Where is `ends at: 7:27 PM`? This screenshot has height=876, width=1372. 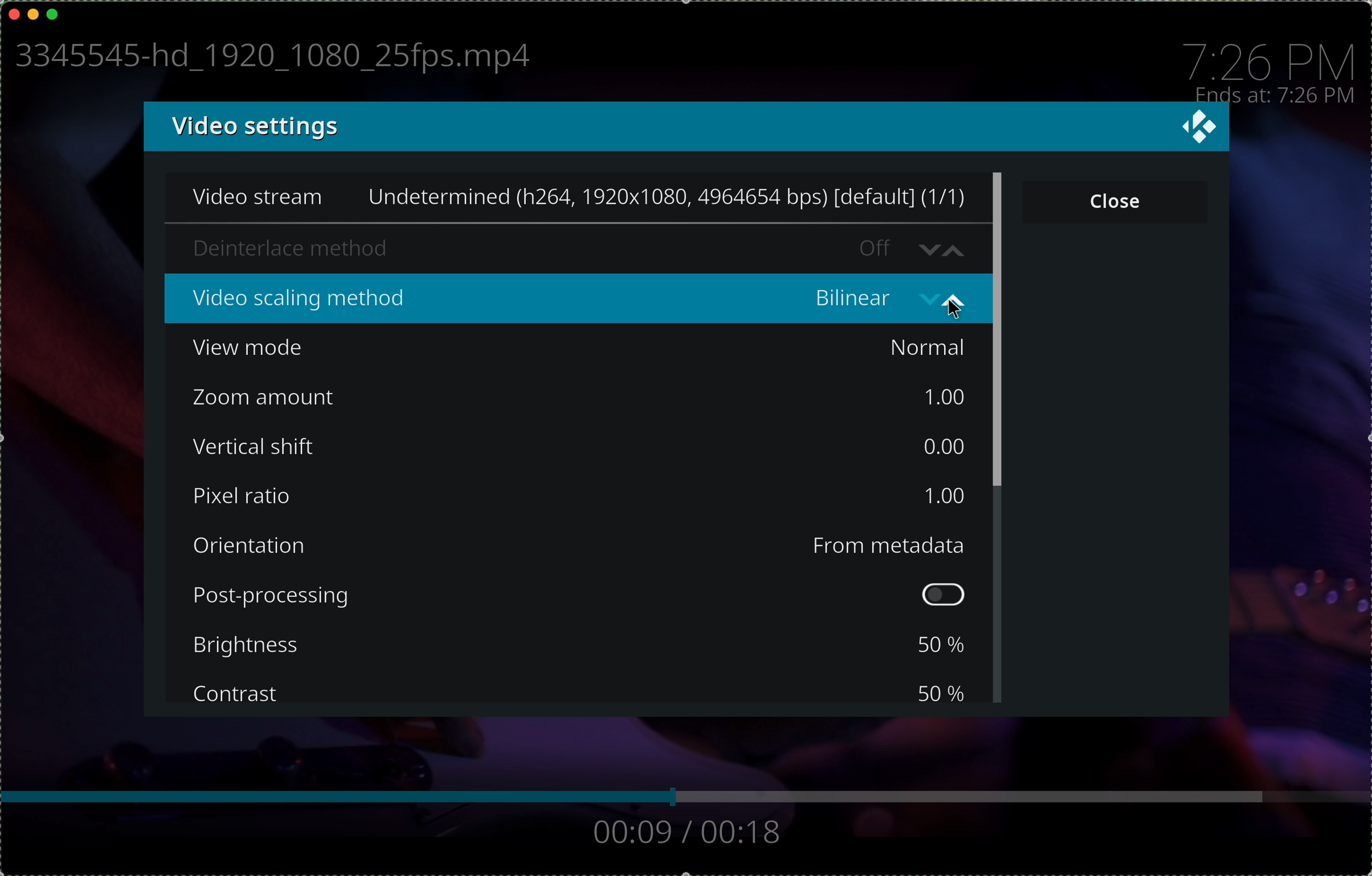 ends at: 7:27 PM is located at coordinates (1275, 96).